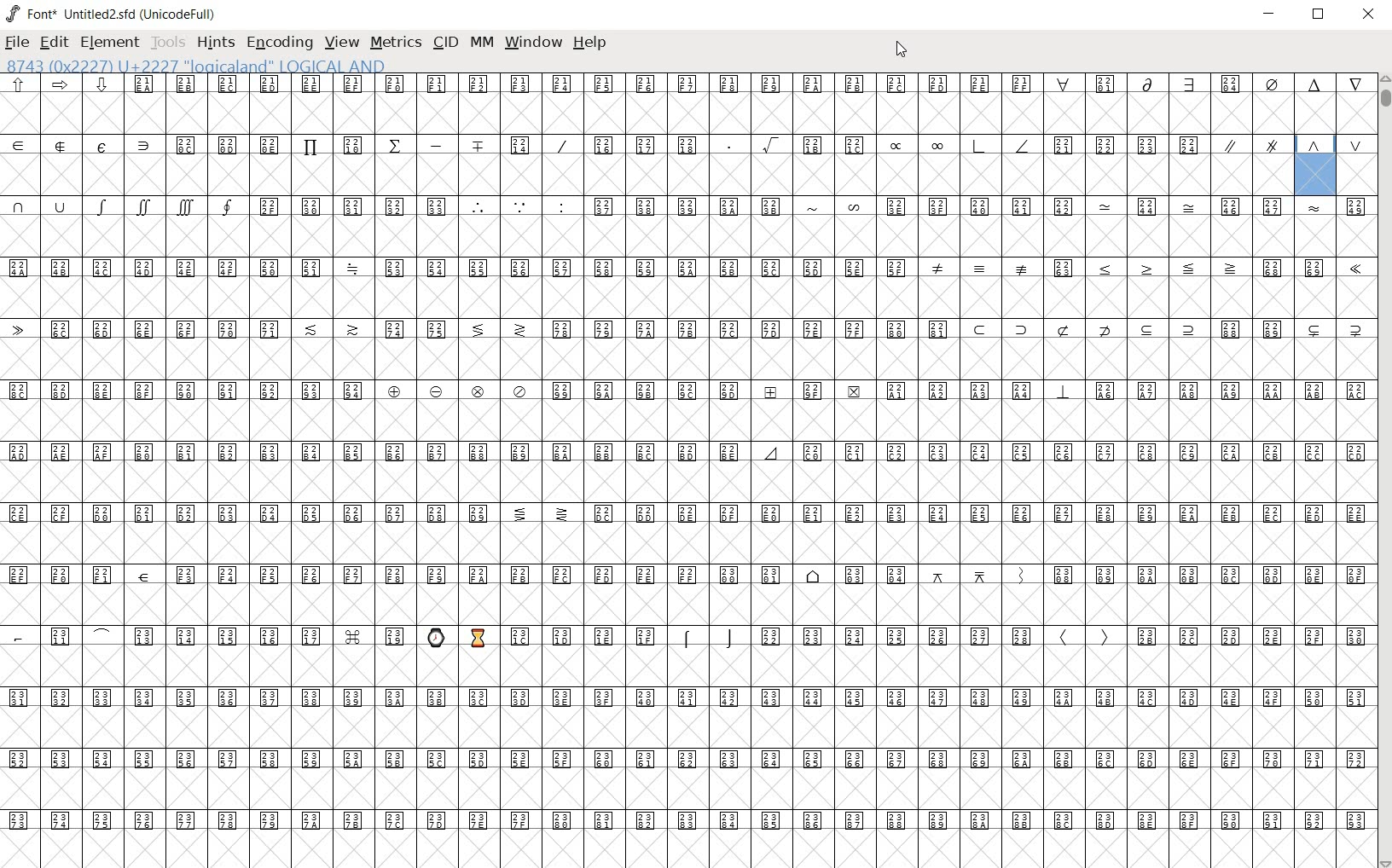 The height and width of the screenshot is (868, 1392). I want to click on font* Untitled2.sfd (UnicodeFull), so click(113, 14).